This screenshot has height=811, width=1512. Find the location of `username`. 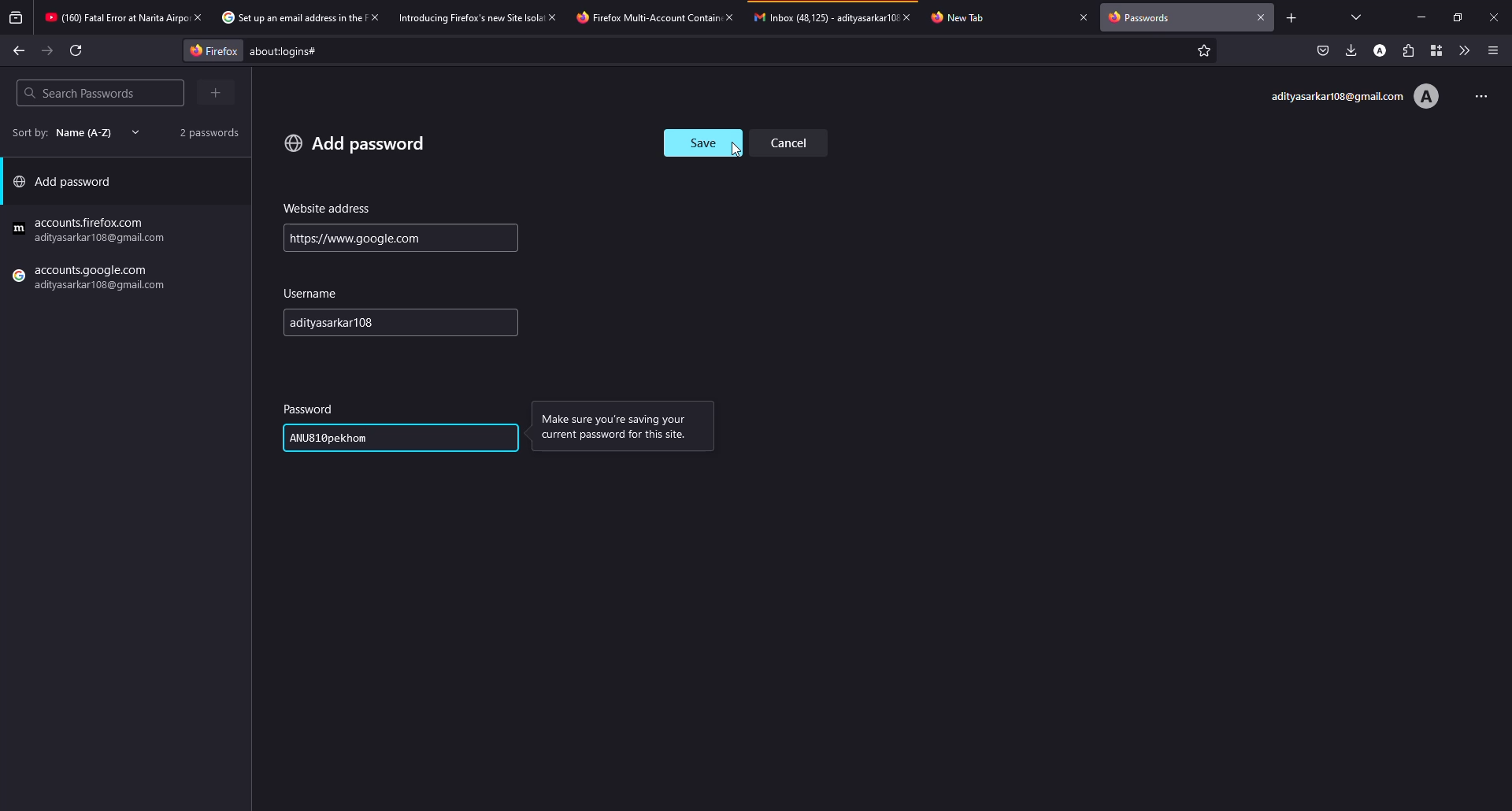

username is located at coordinates (345, 324).